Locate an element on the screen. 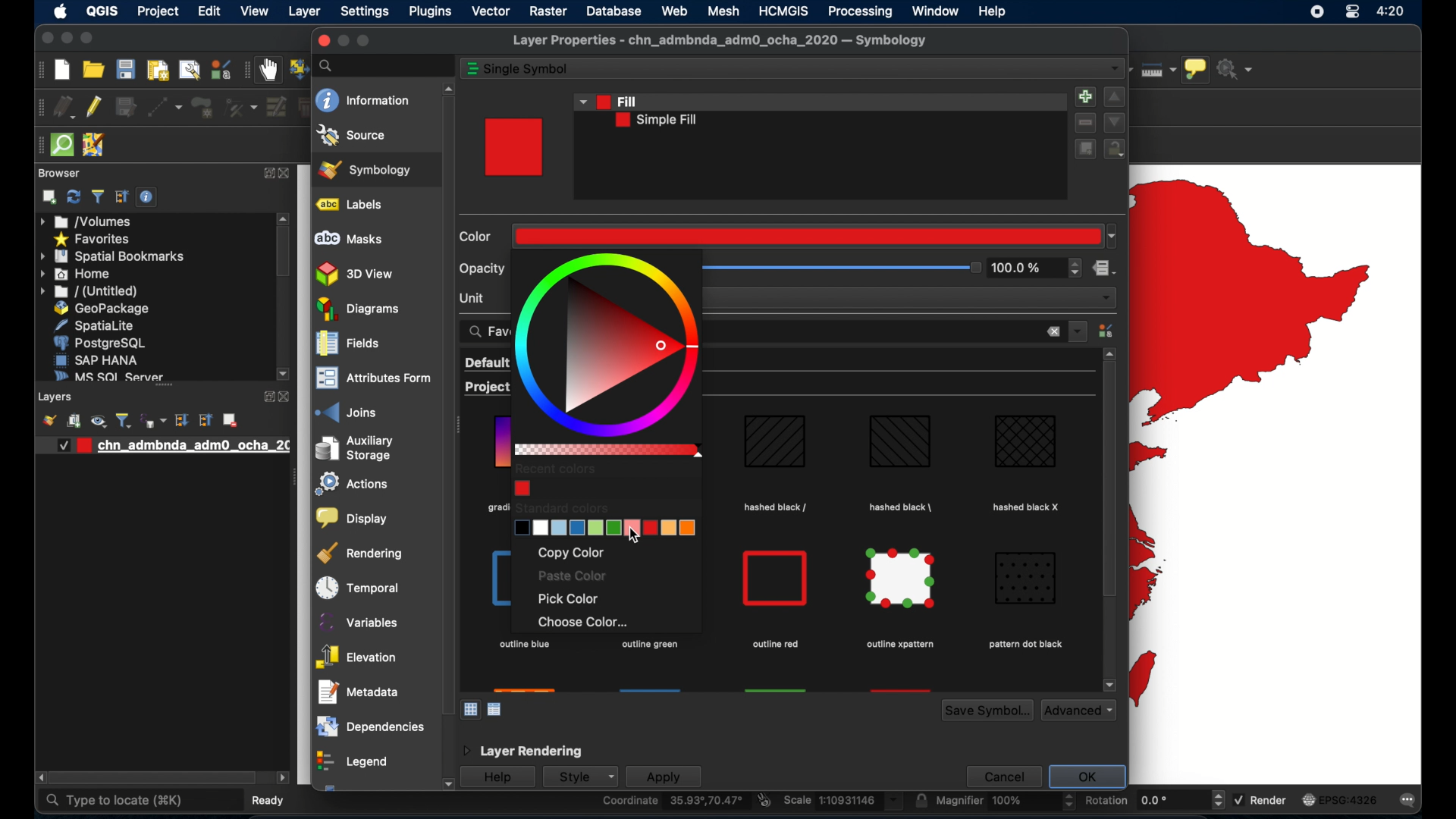 The image size is (1456, 819). scroll box is located at coordinates (446, 404).